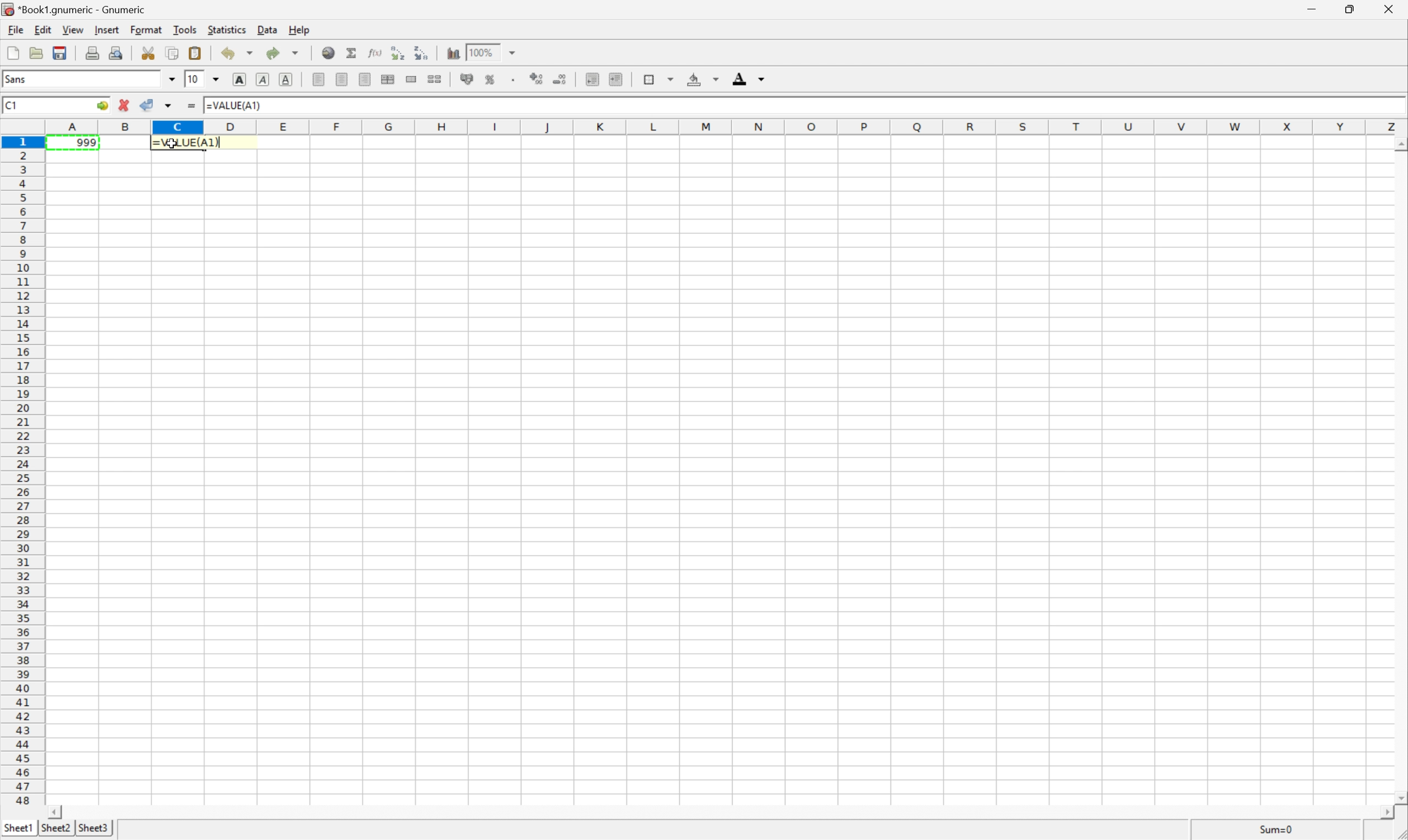 This screenshot has height=840, width=1408. Describe the element at coordinates (269, 30) in the screenshot. I see `data` at that location.